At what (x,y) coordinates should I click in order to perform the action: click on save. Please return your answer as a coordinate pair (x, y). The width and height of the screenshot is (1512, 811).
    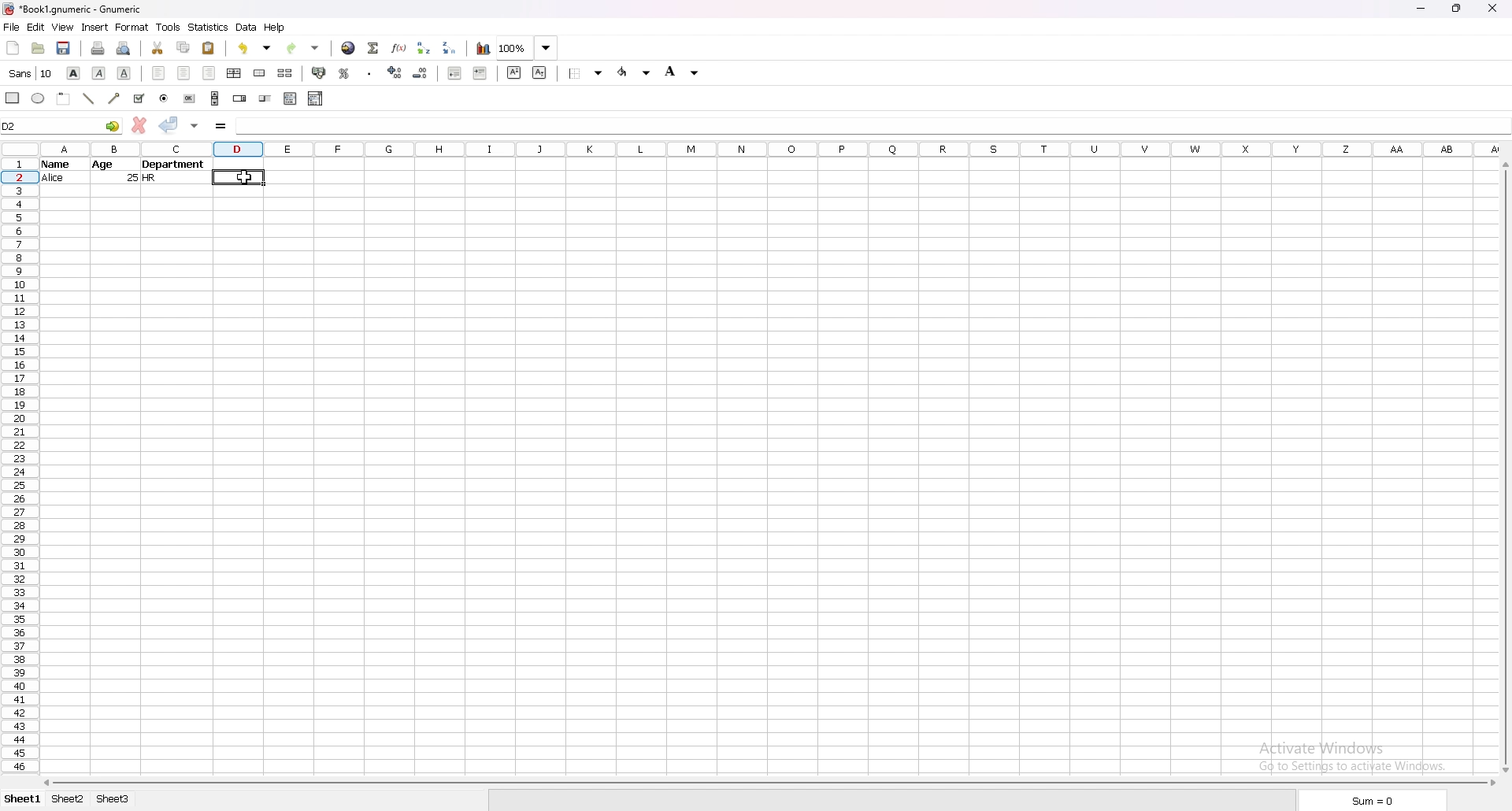
    Looking at the image, I should click on (62, 49).